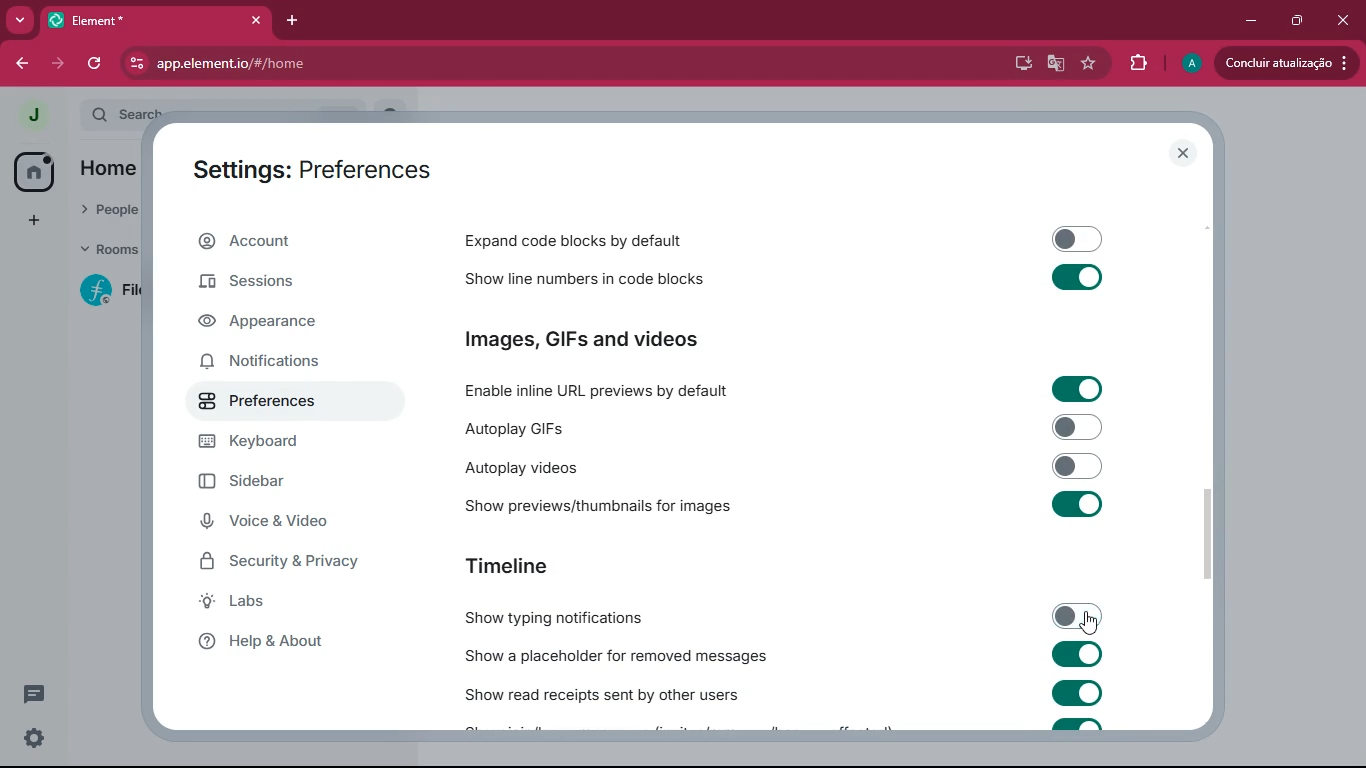 Image resolution: width=1366 pixels, height=768 pixels. What do you see at coordinates (1022, 65) in the screenshot?
I see `desktop` at bounding box center [1022, 65].